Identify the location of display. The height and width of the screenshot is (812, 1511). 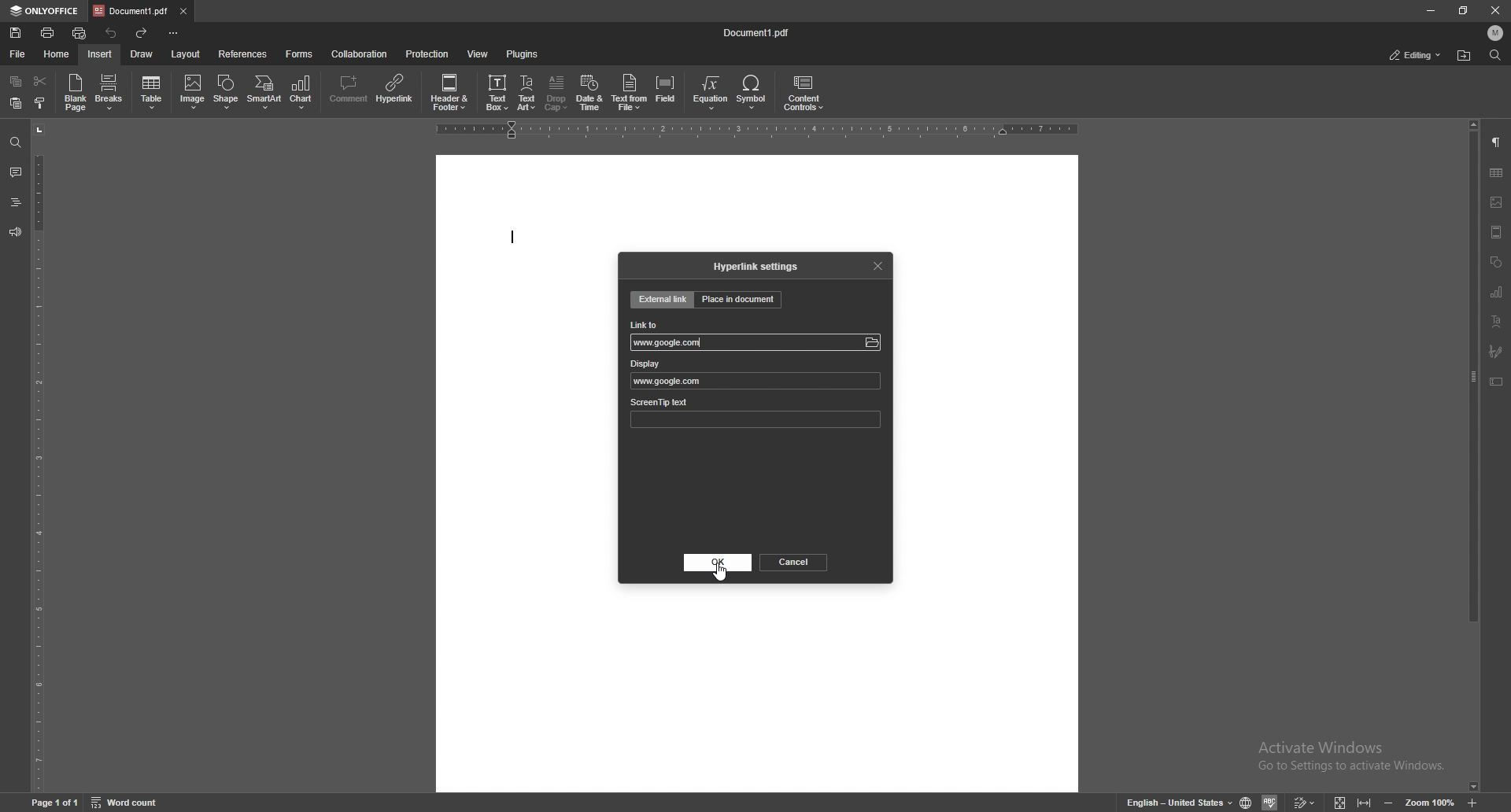
(707, 364).